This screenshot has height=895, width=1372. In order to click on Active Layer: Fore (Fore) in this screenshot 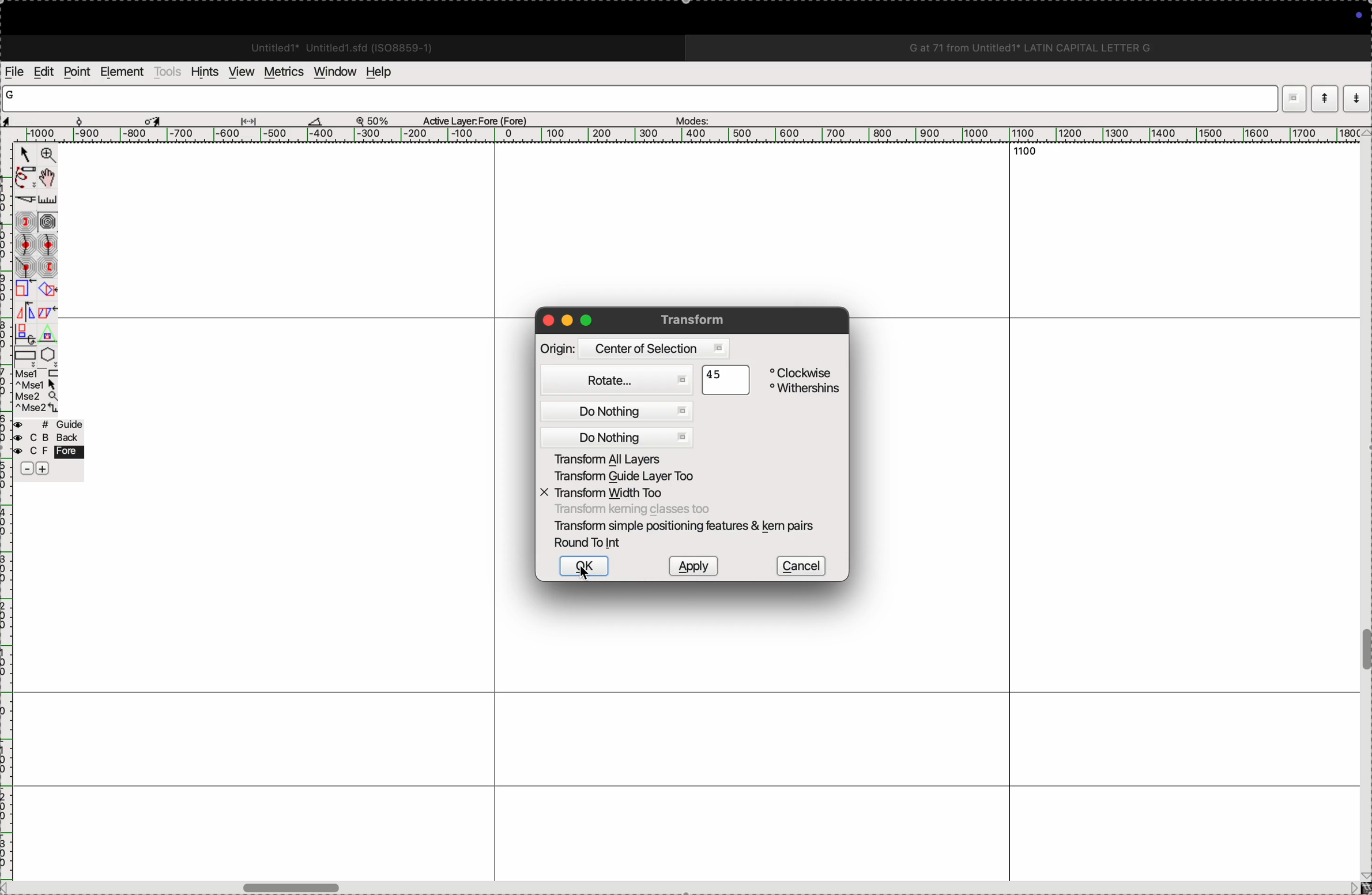, I will do `click(469, 121)`.